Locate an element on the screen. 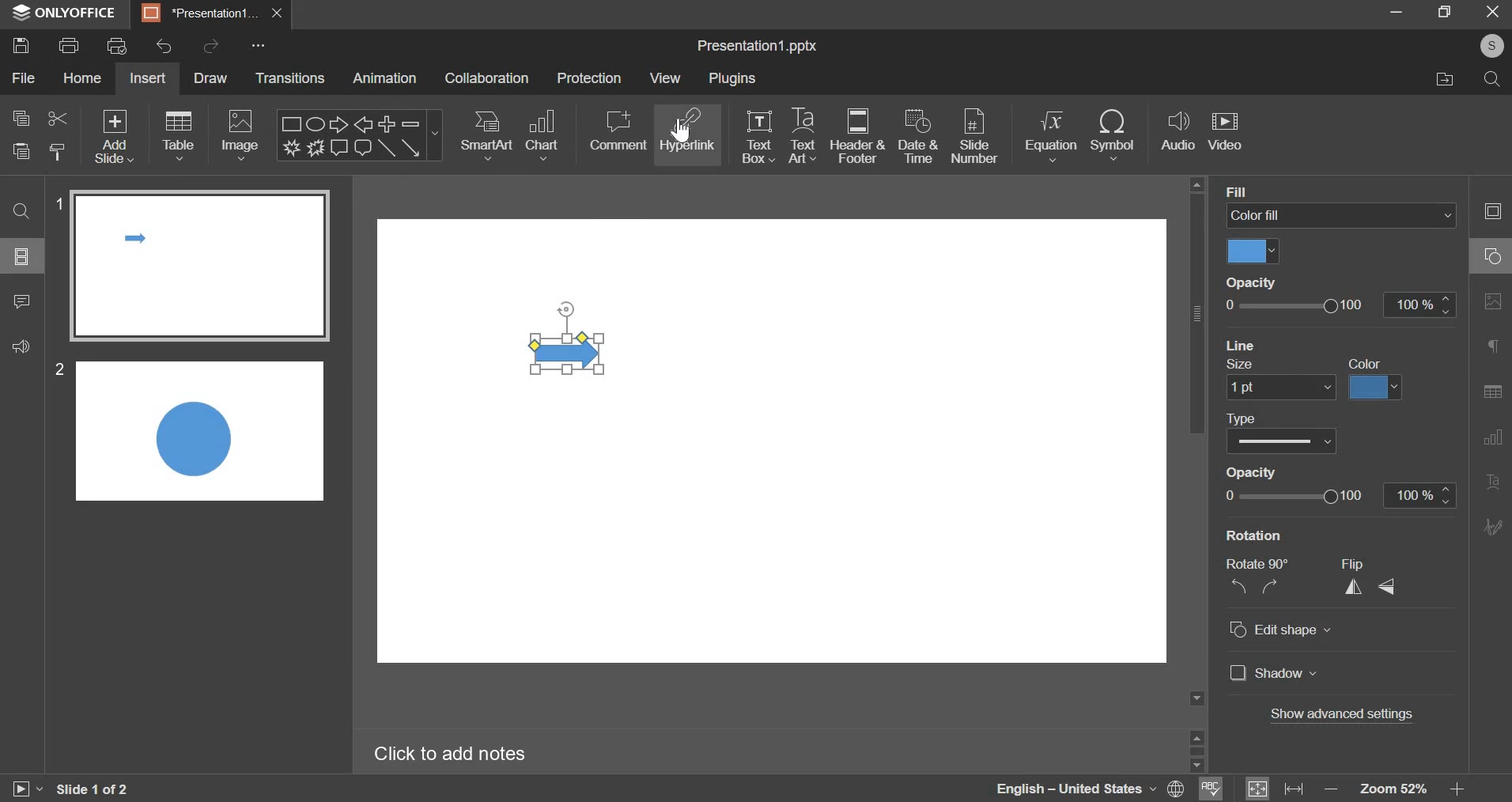  slider from 0 to 100 is located at coordinates (1298, 496).